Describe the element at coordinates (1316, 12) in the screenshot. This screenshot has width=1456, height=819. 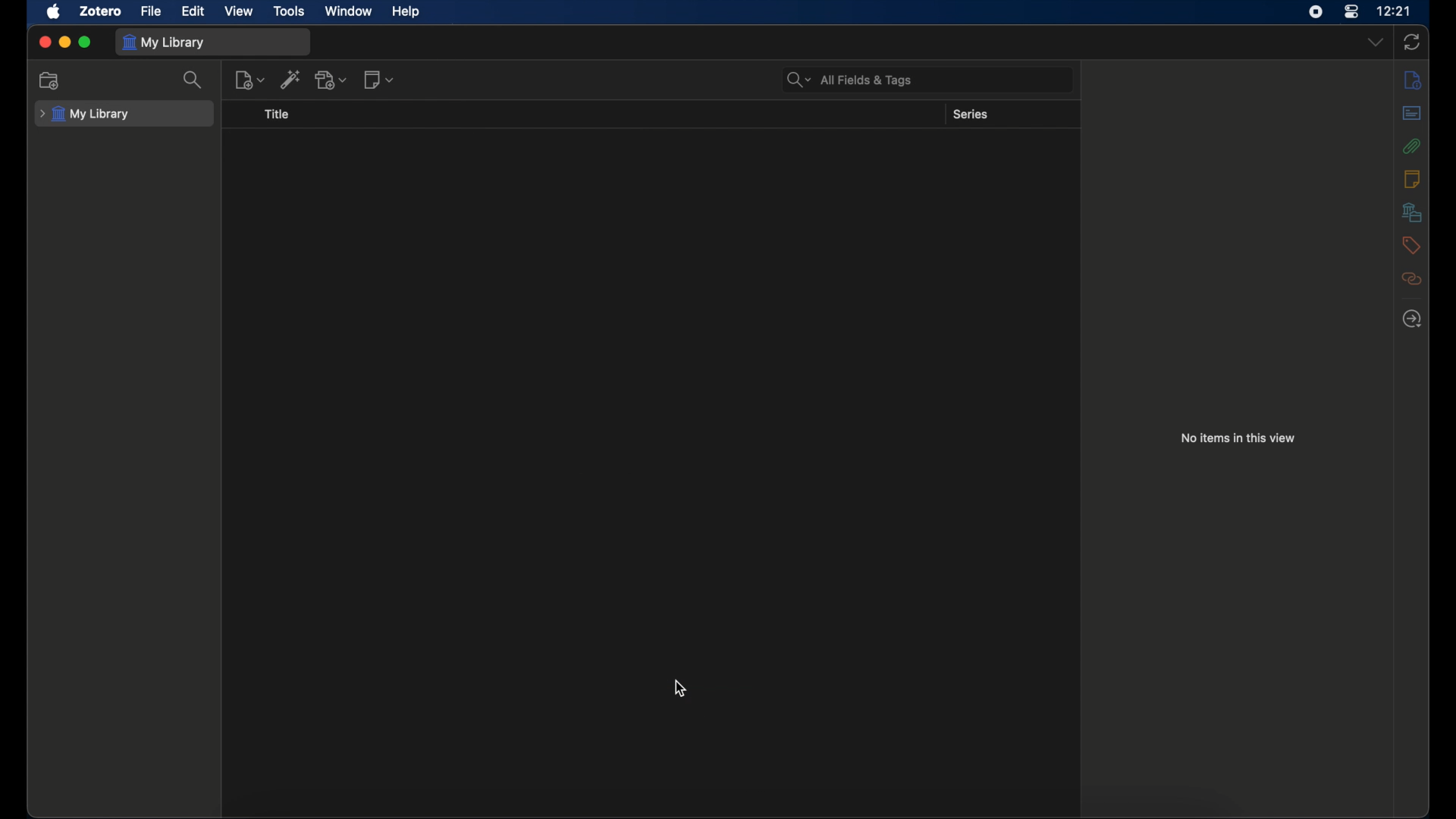
I see `screen recorder` at that location.